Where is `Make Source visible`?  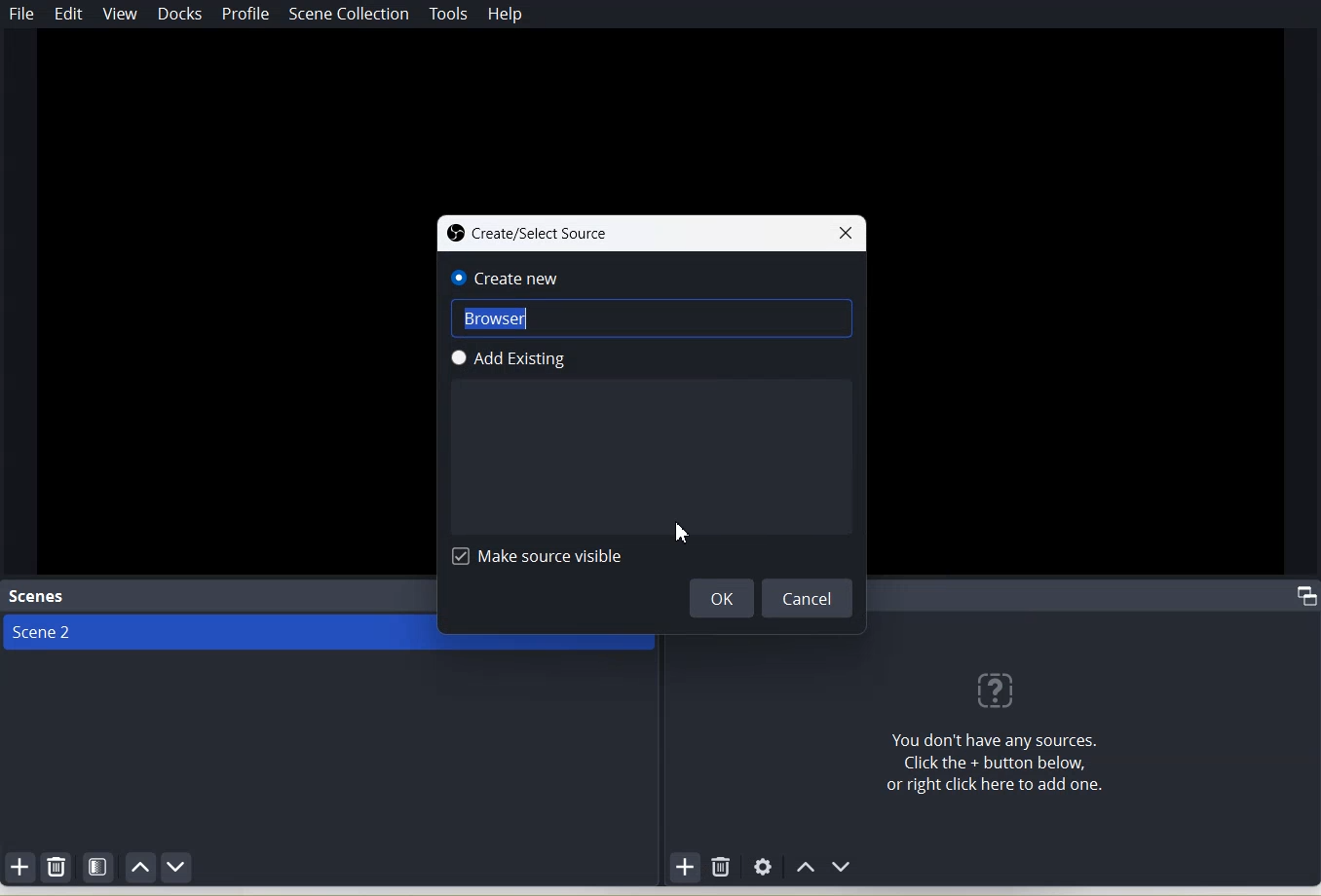 Make Source visible is located at coordinates (540, 557).